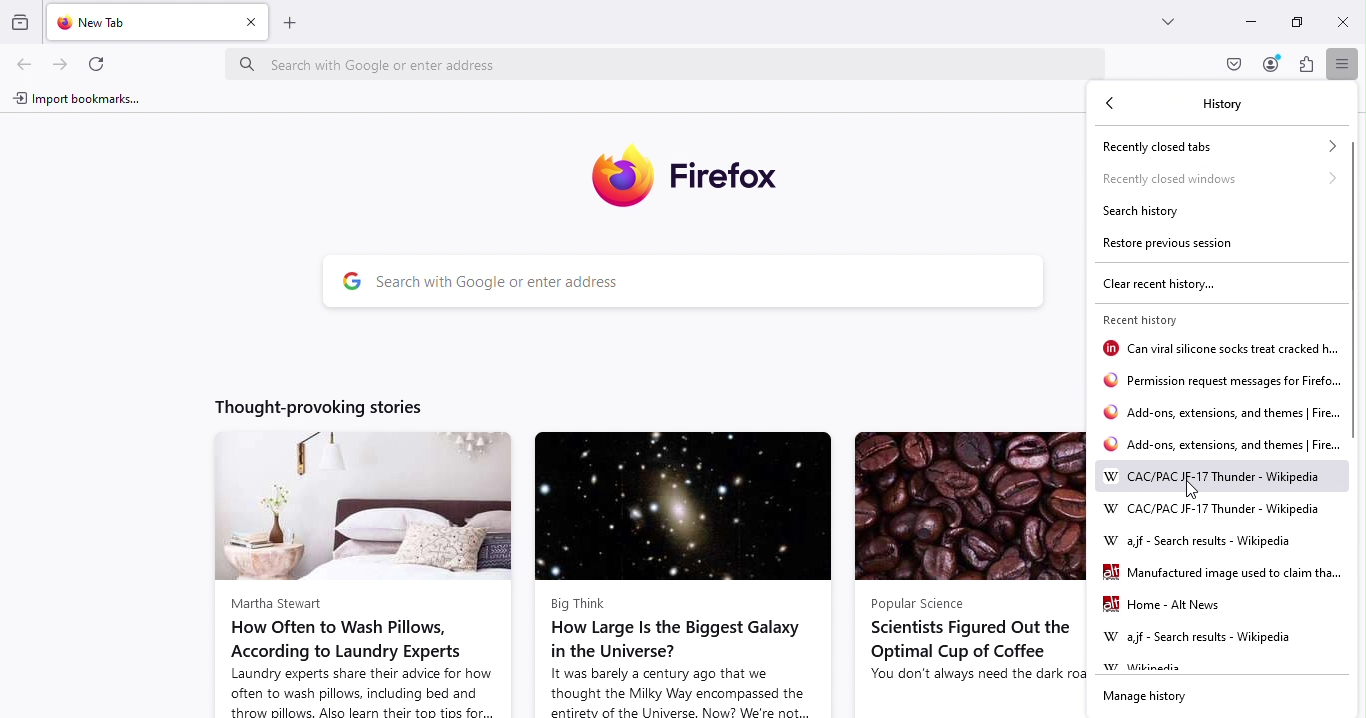 This screenshot has height=718, width=1366. What do you see at coordinates (1224, 417) in the screenshot?
I see `webpage link` at bounding box center [1224, 417].